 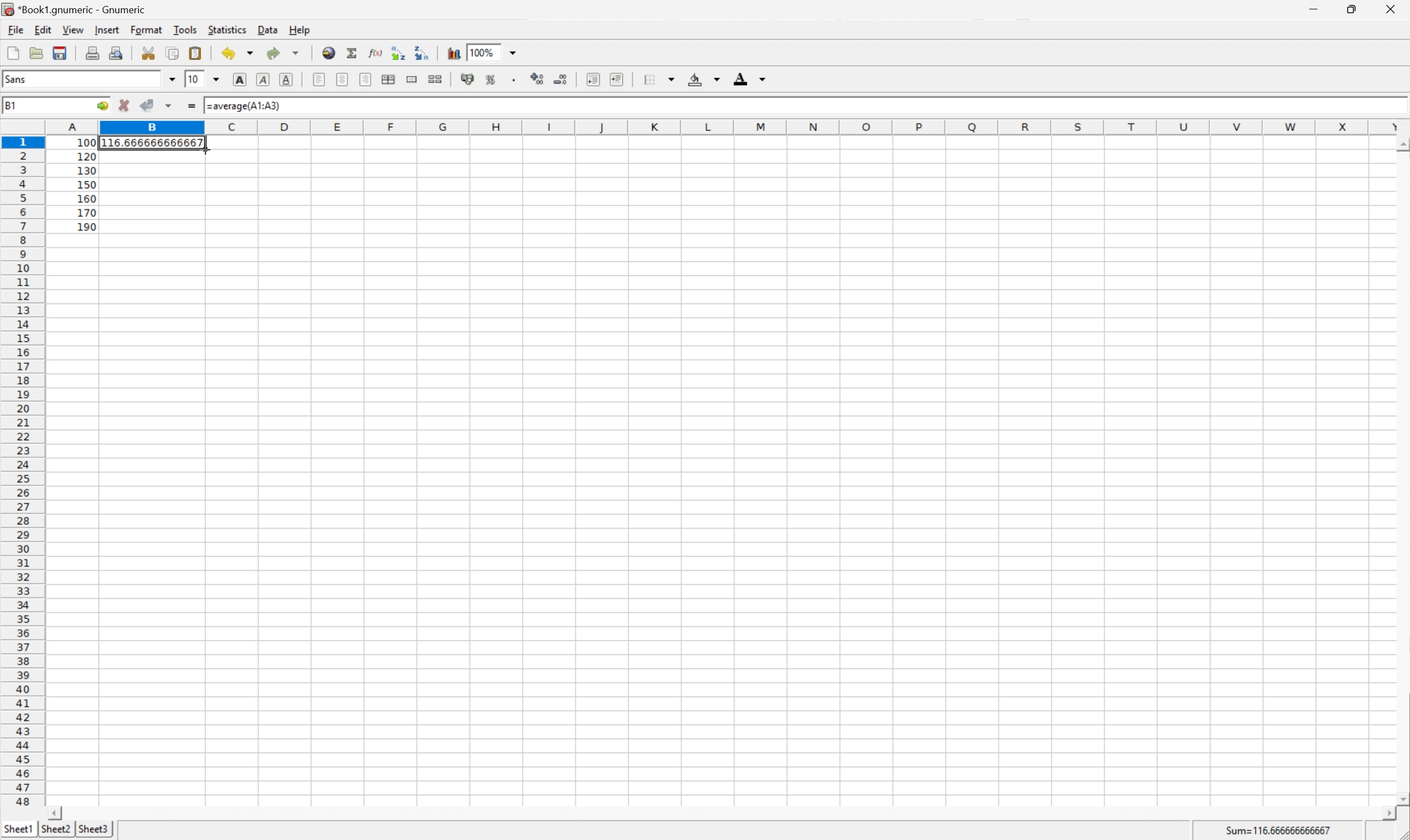 I want to click on Paste the clipboard, so click(x=198, y=52).